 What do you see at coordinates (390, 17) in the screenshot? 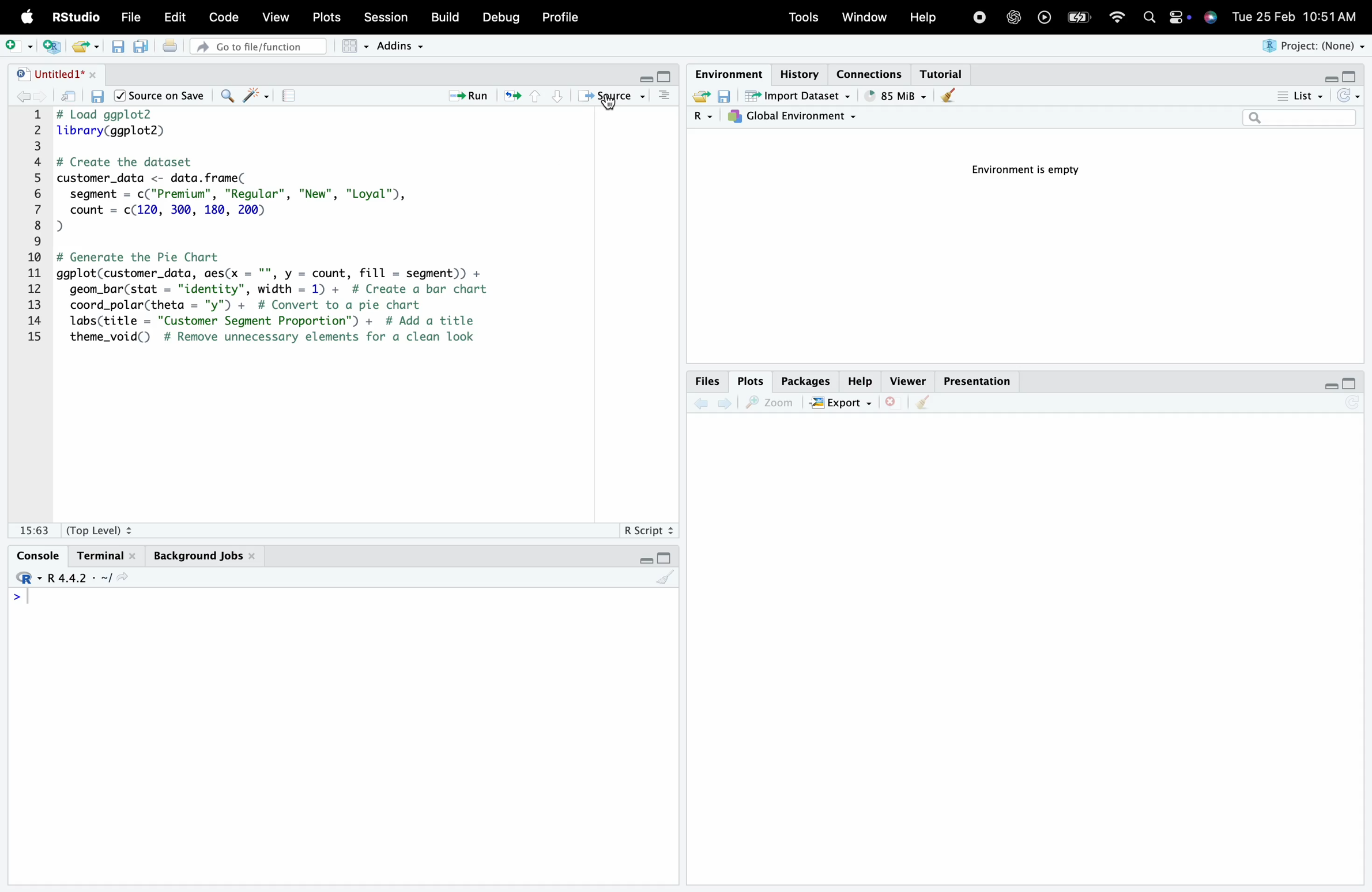
I see `Session` at bounding box center [390, 17].